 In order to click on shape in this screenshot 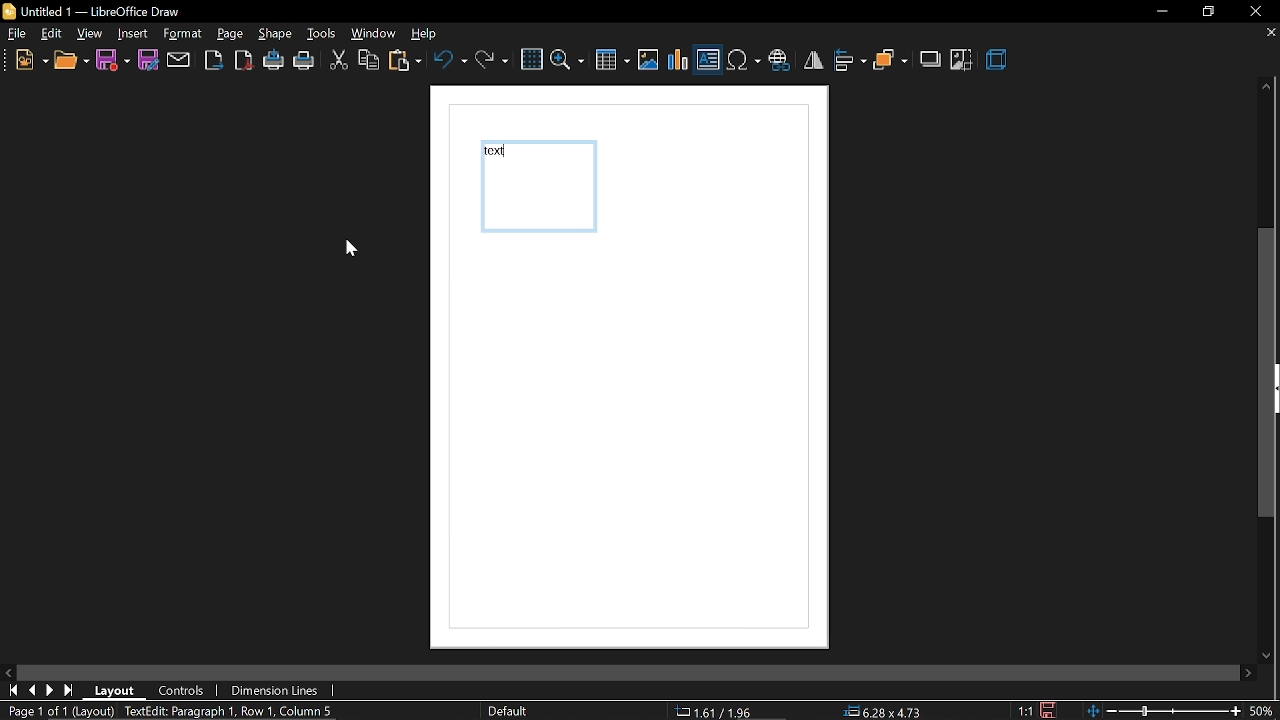, I will do `click(277, 35)`.